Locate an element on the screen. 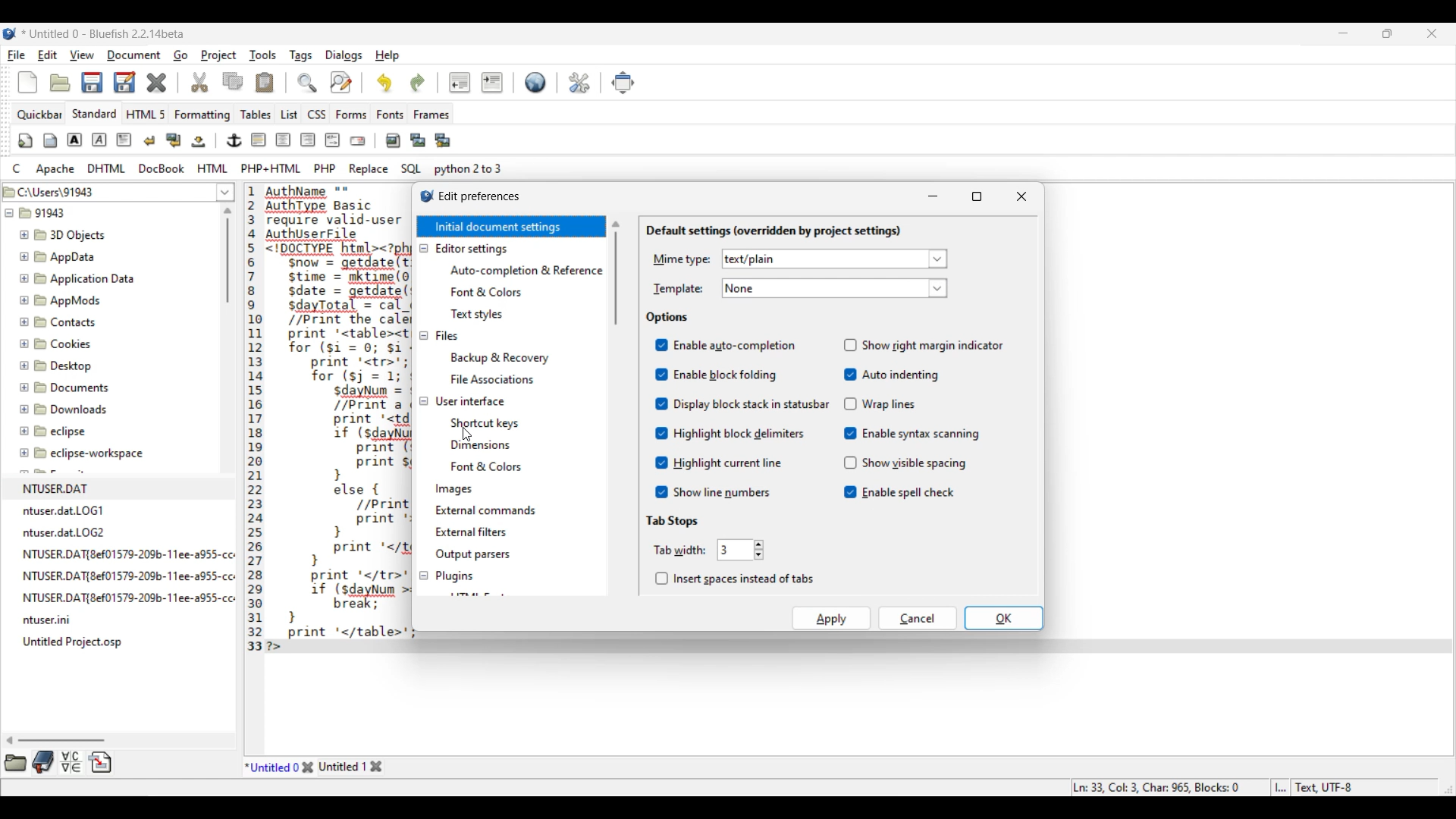 The image size is (1456, 819). Window title is located at coordinates (479, 197).